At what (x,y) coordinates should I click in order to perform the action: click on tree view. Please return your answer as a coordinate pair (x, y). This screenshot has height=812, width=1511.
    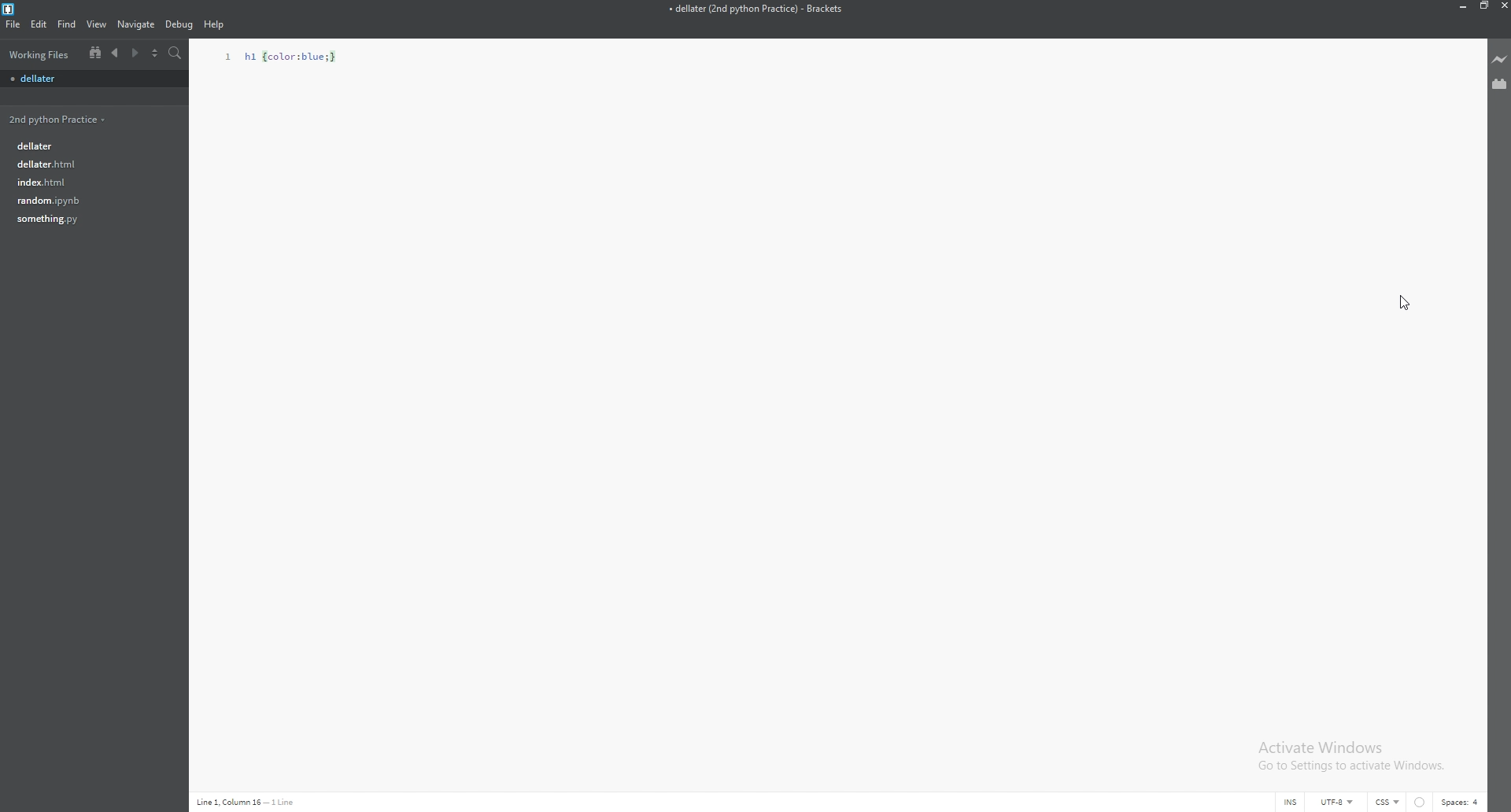
    Looking at the image, I should click on (95, 52).